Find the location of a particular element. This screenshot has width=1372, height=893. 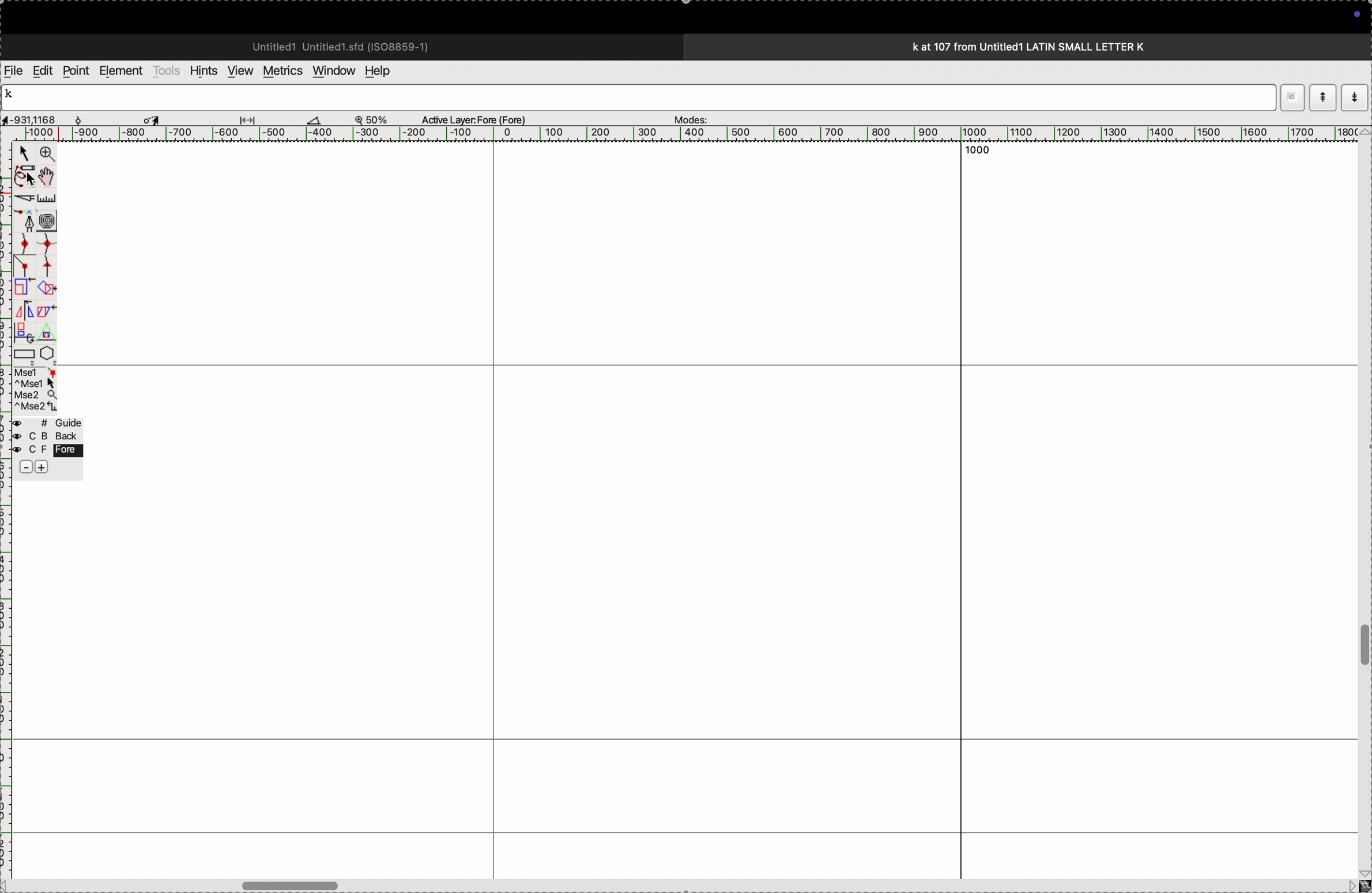

cut is located at coordinates (25, 198).